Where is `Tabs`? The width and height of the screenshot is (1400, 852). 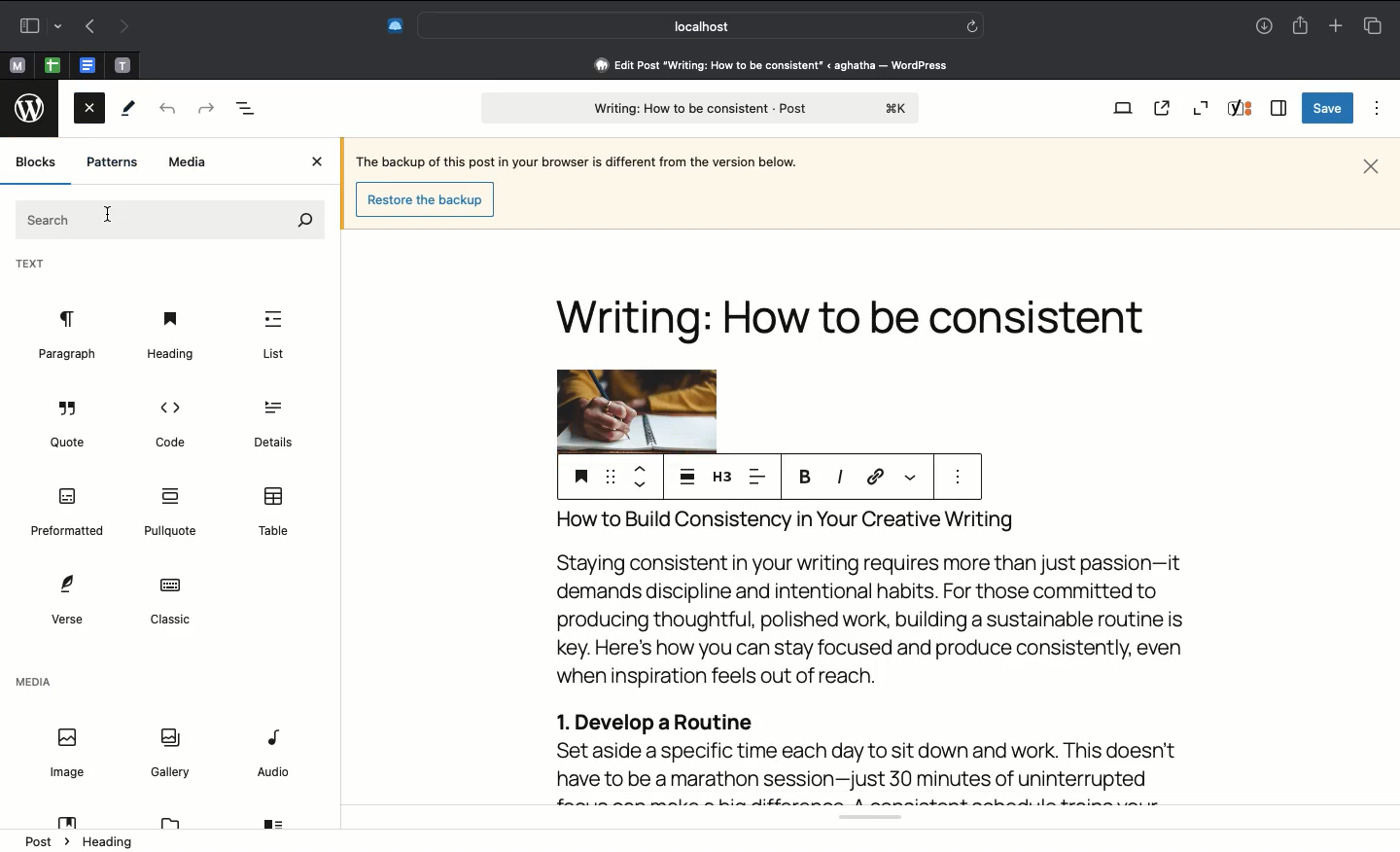
Tabs is located at coordinates (1374, 25).